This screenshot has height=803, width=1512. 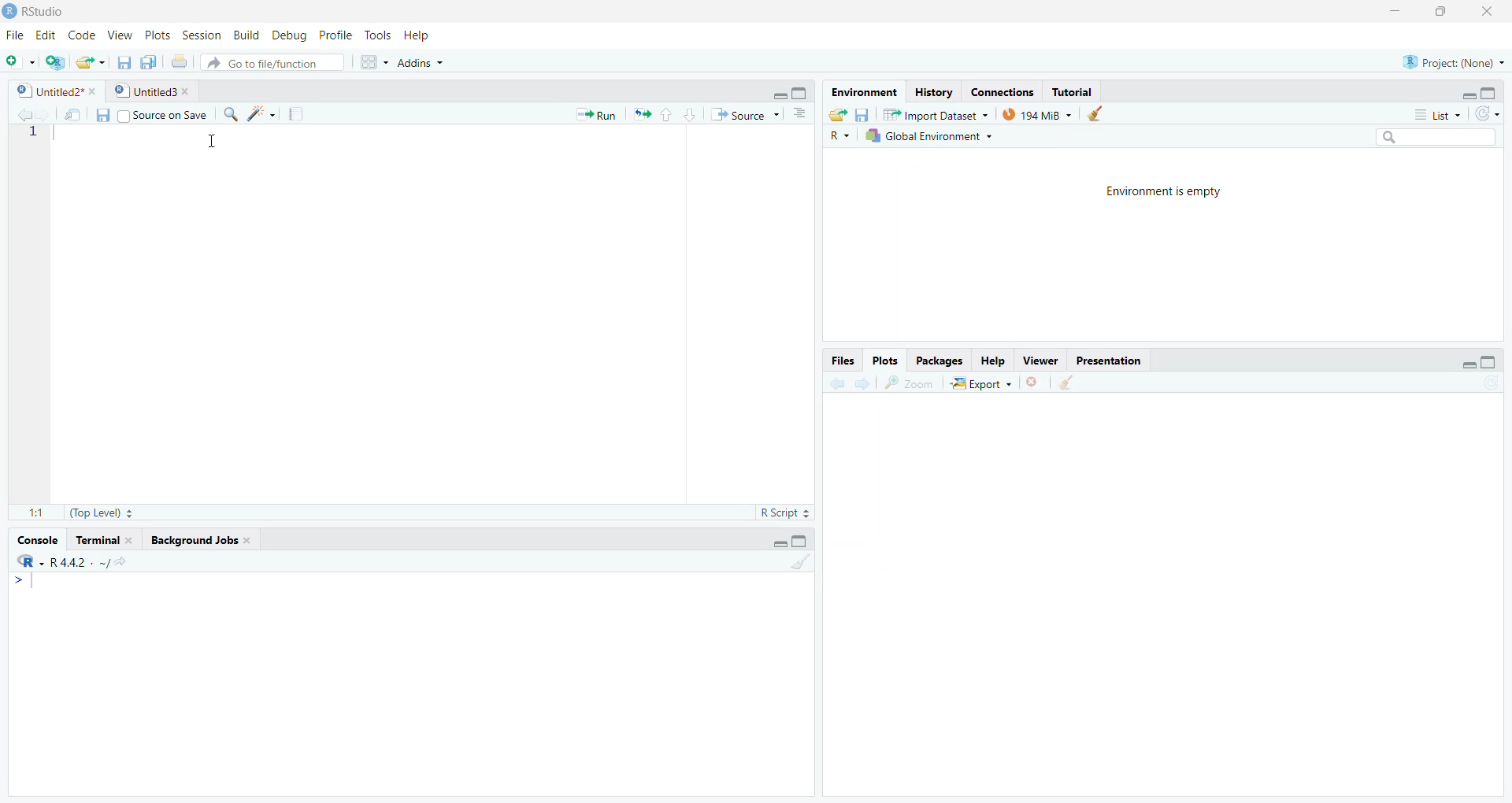 I want to click on Load workspace, so click(x=838, y=113).